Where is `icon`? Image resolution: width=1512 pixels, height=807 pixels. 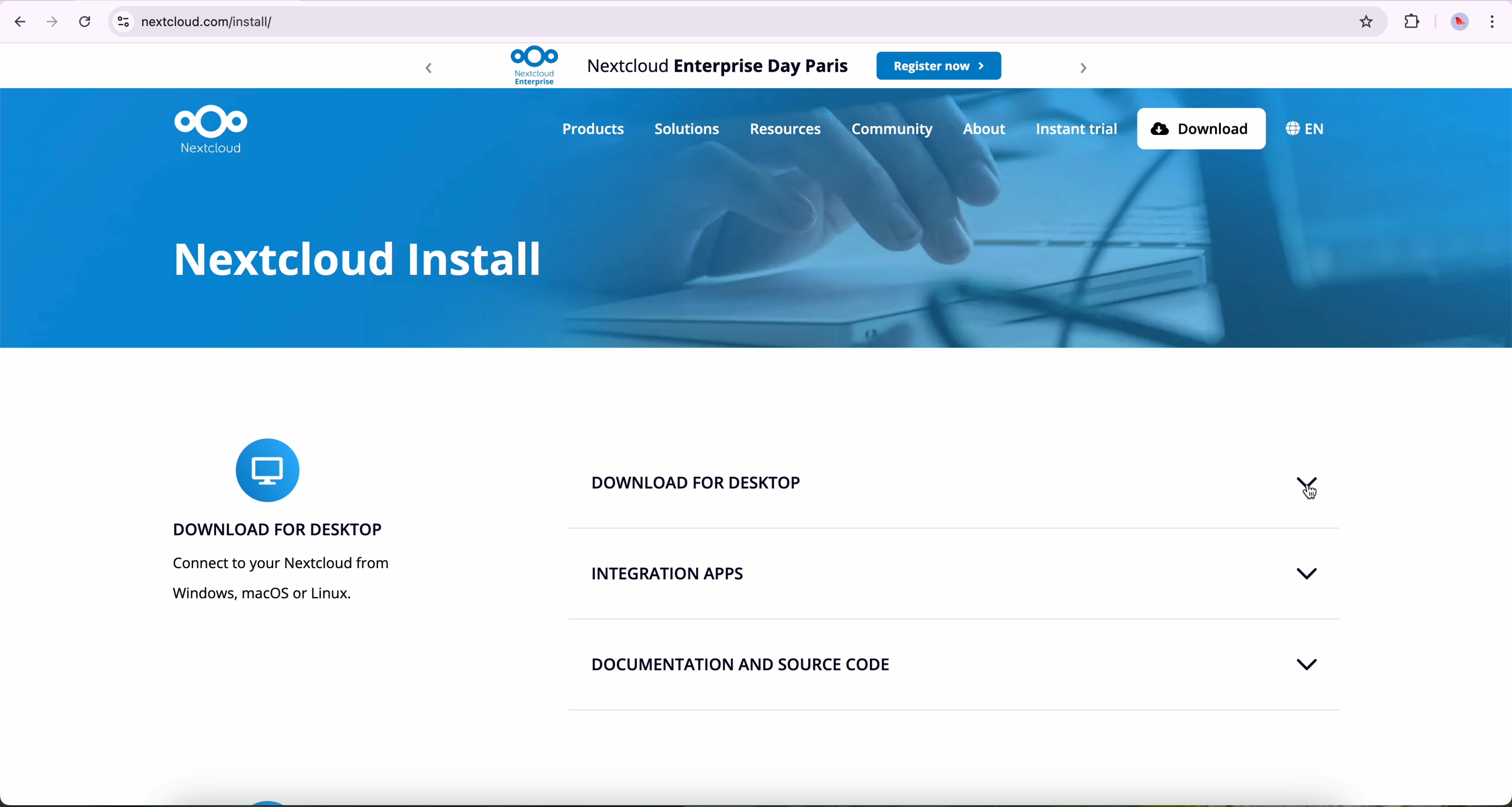
icon is located at coordinates (268, 467).